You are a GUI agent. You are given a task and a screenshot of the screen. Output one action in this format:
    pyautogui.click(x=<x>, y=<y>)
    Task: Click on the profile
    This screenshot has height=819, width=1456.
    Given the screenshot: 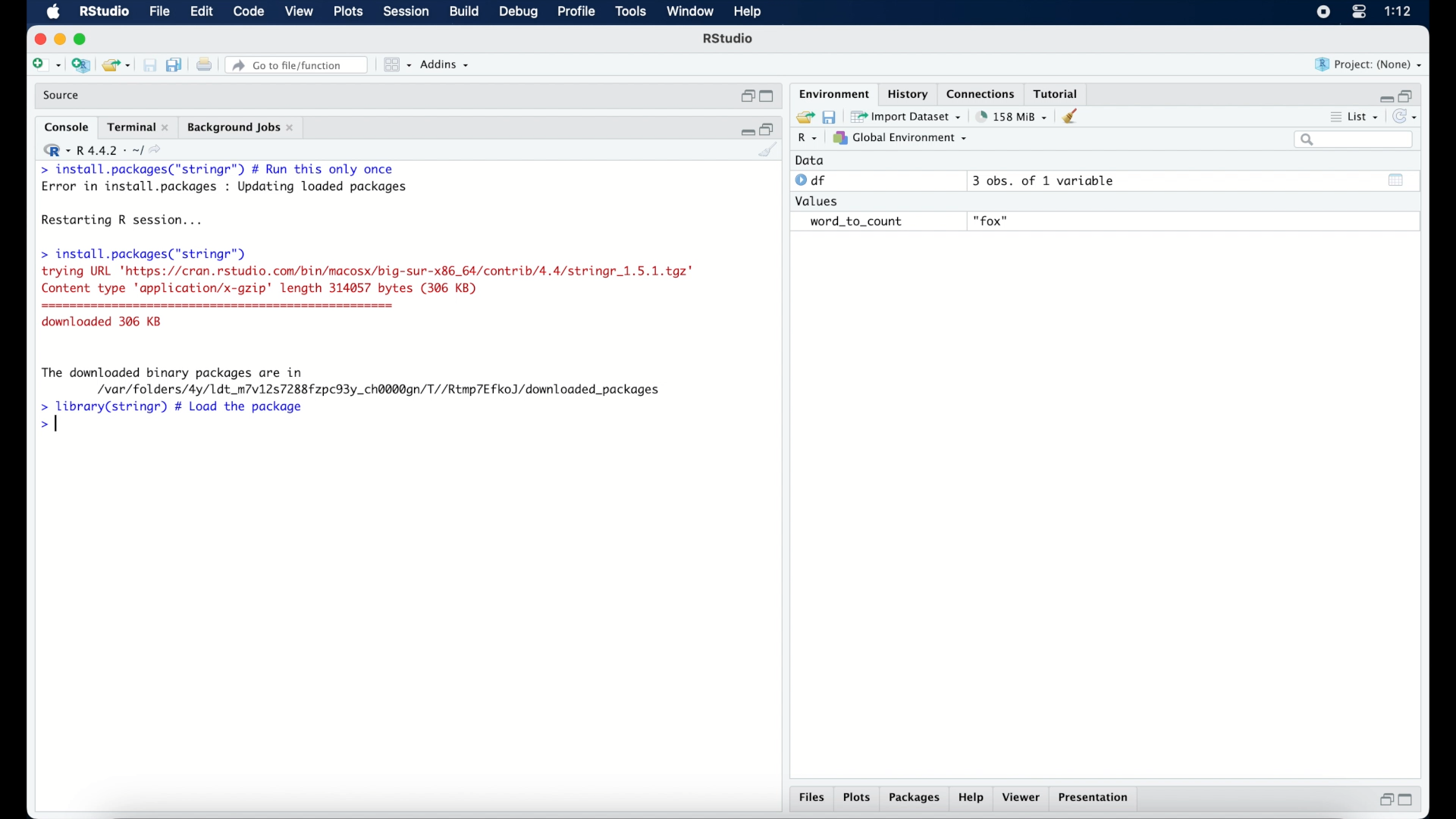 What is the action you would take?
    pyautogui.click(x=575, y=12)
    